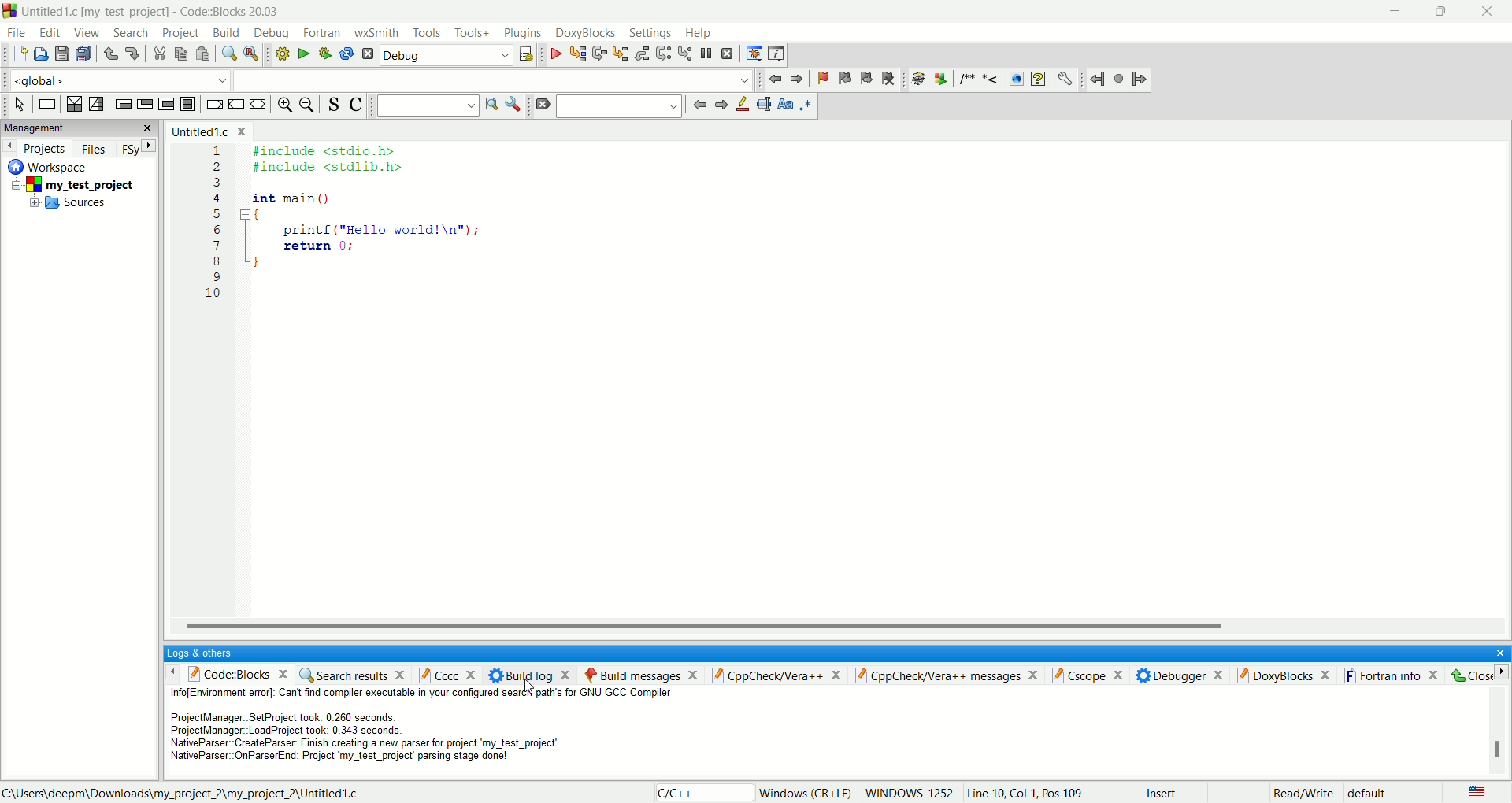 The image size is (1512, 803). What do you see at coordinates (376, 35) in the screenshot?
I see `wxSmith` at bounding box center [376, 35].